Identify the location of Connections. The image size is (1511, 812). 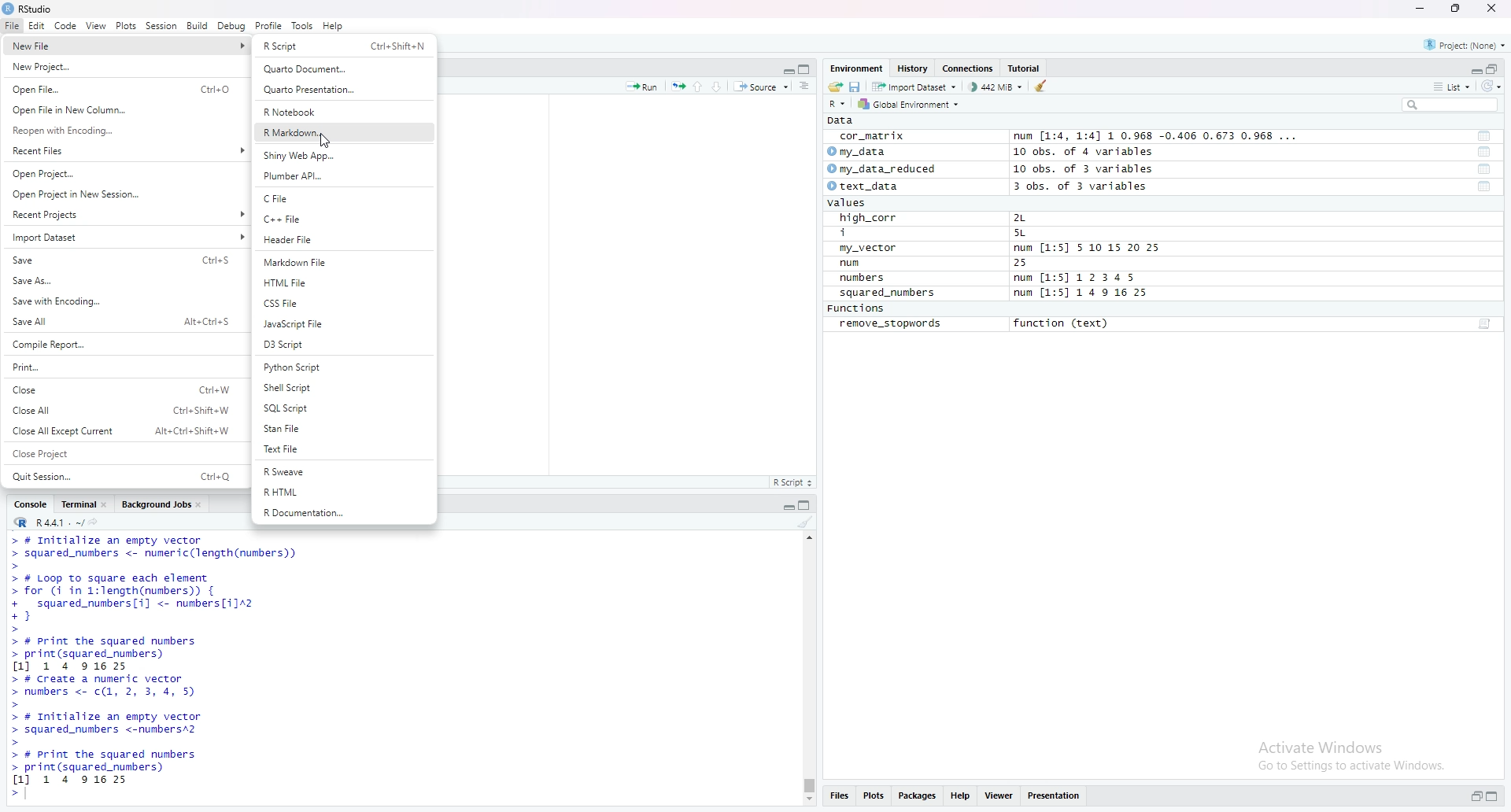
(970, 68).